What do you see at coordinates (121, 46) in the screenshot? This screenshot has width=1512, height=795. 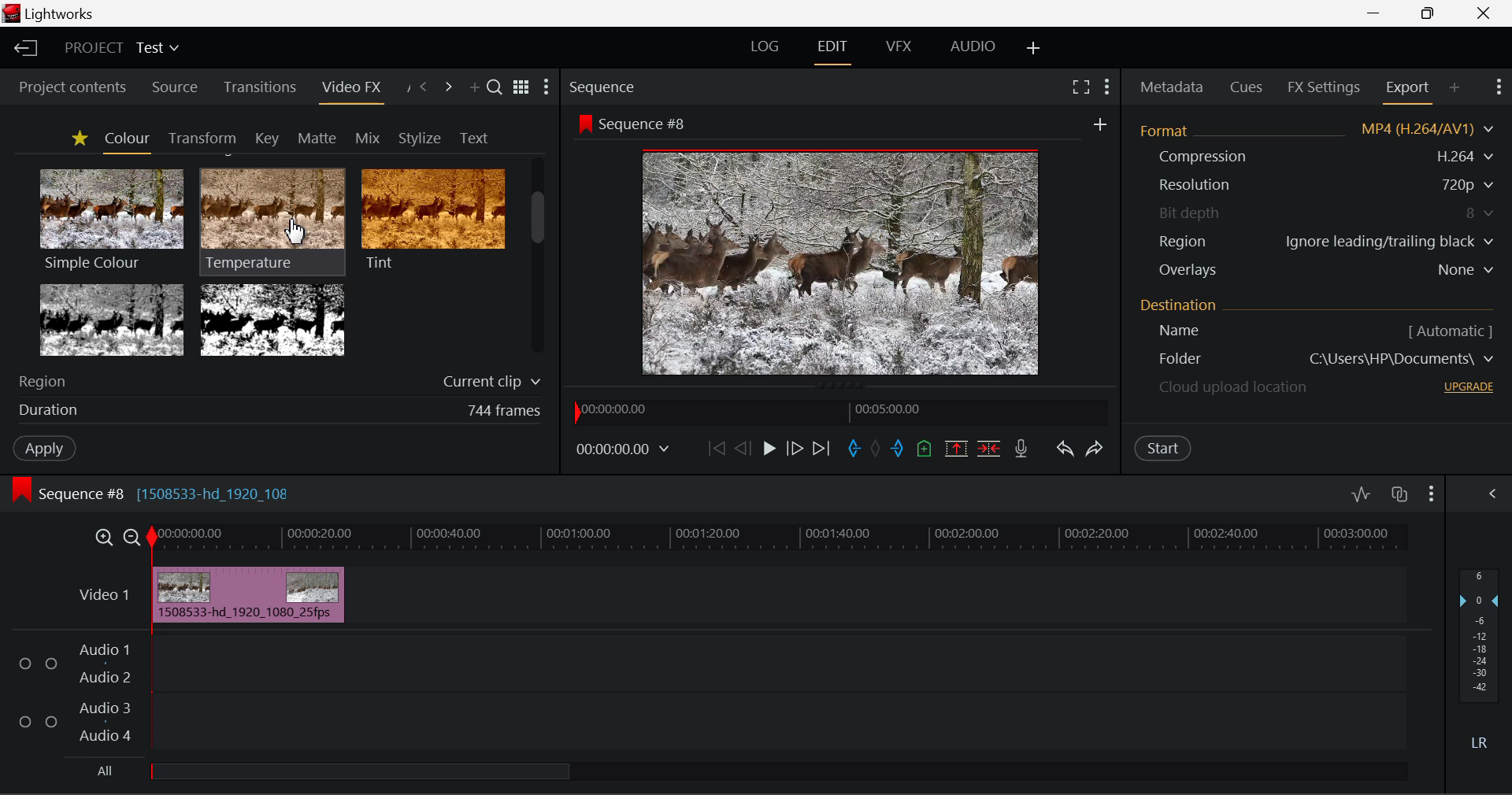 I see `Project Title` at bounding box center [121, 46].